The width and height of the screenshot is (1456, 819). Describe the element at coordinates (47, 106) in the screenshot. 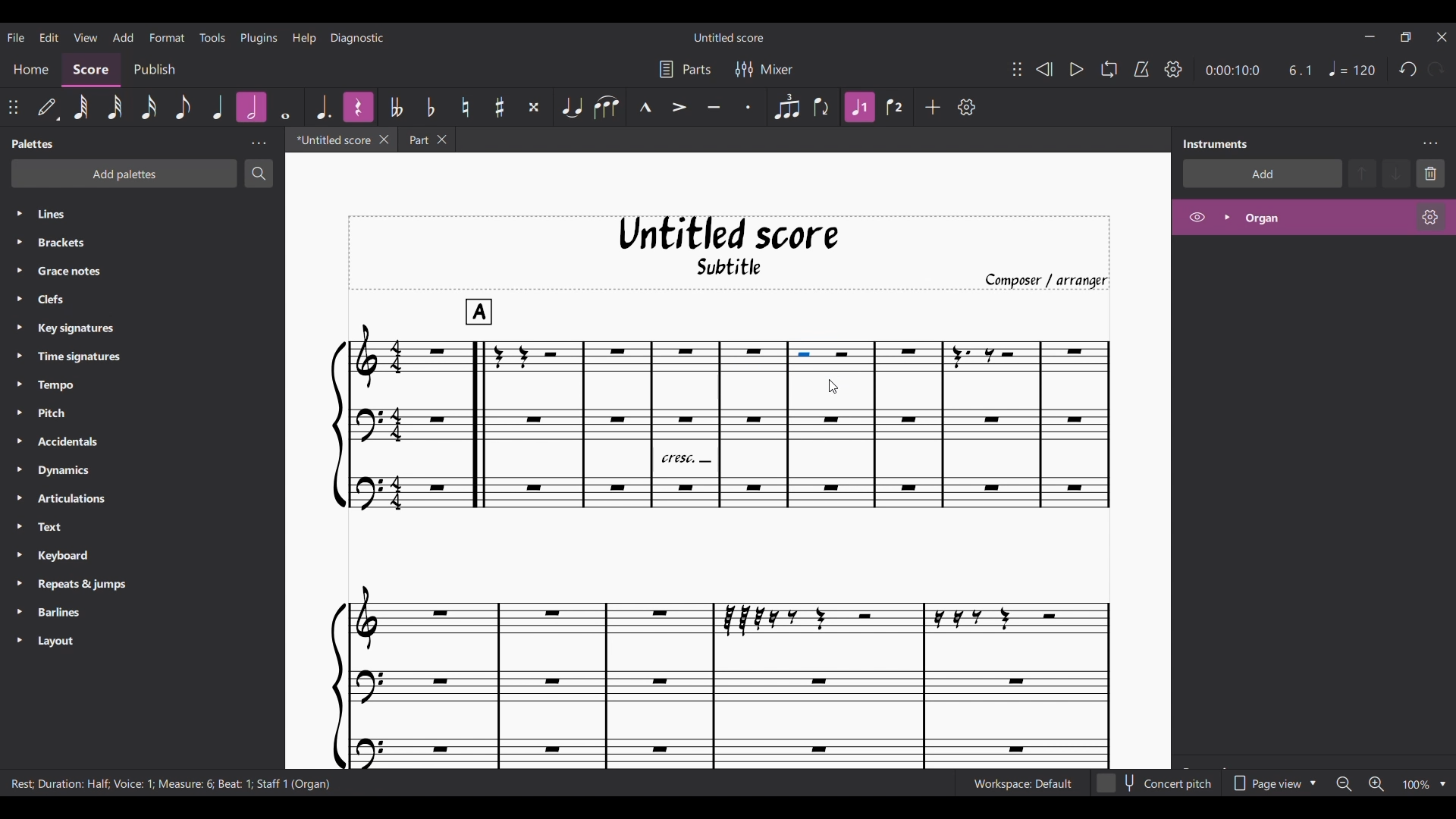

I see `Default` at that location.